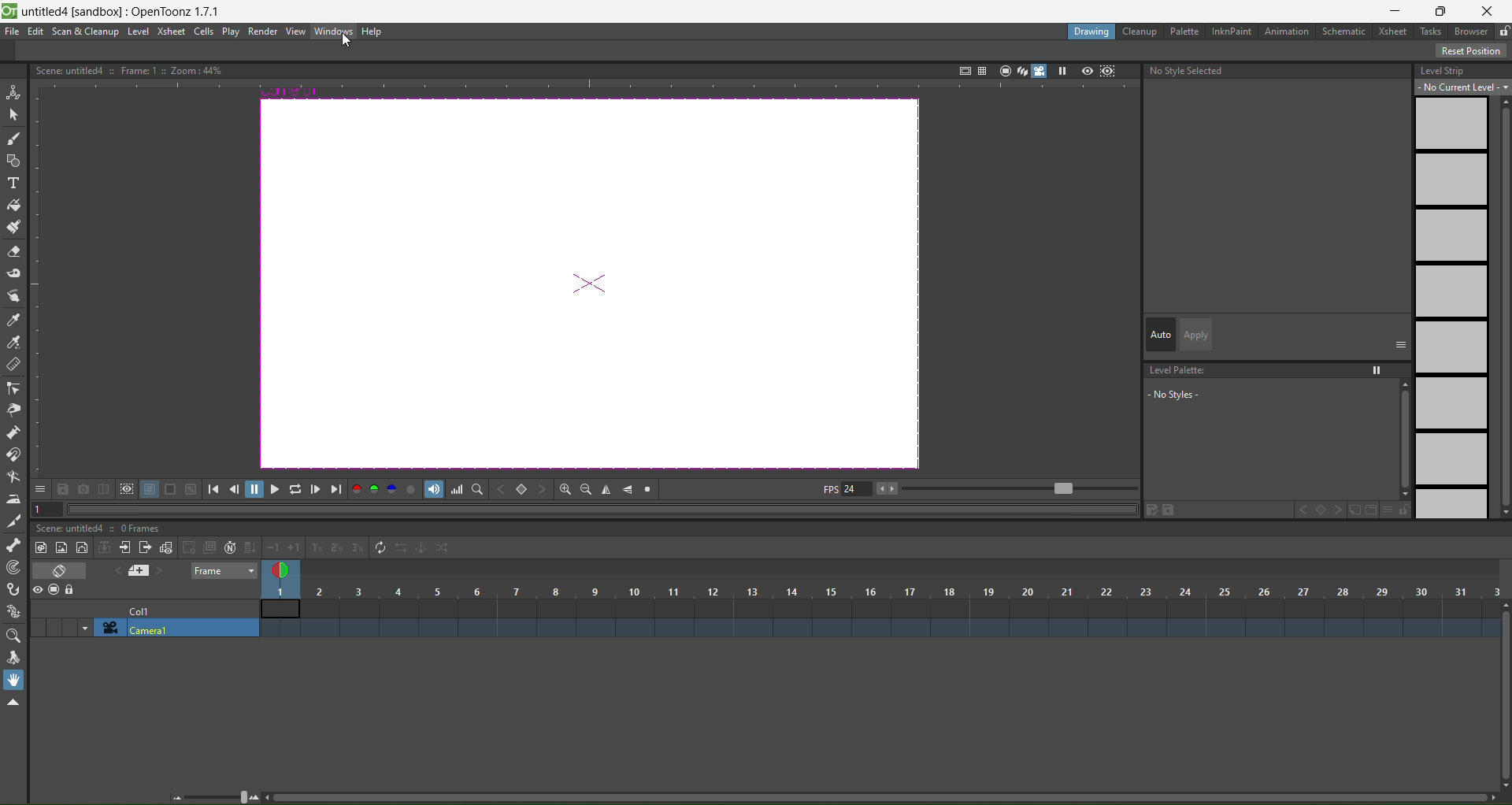 The height and width of the screenshot is (805, 1512). Describe the element at coordinates (435, 489) in the screenshot. I see `soundtrack` at that location.